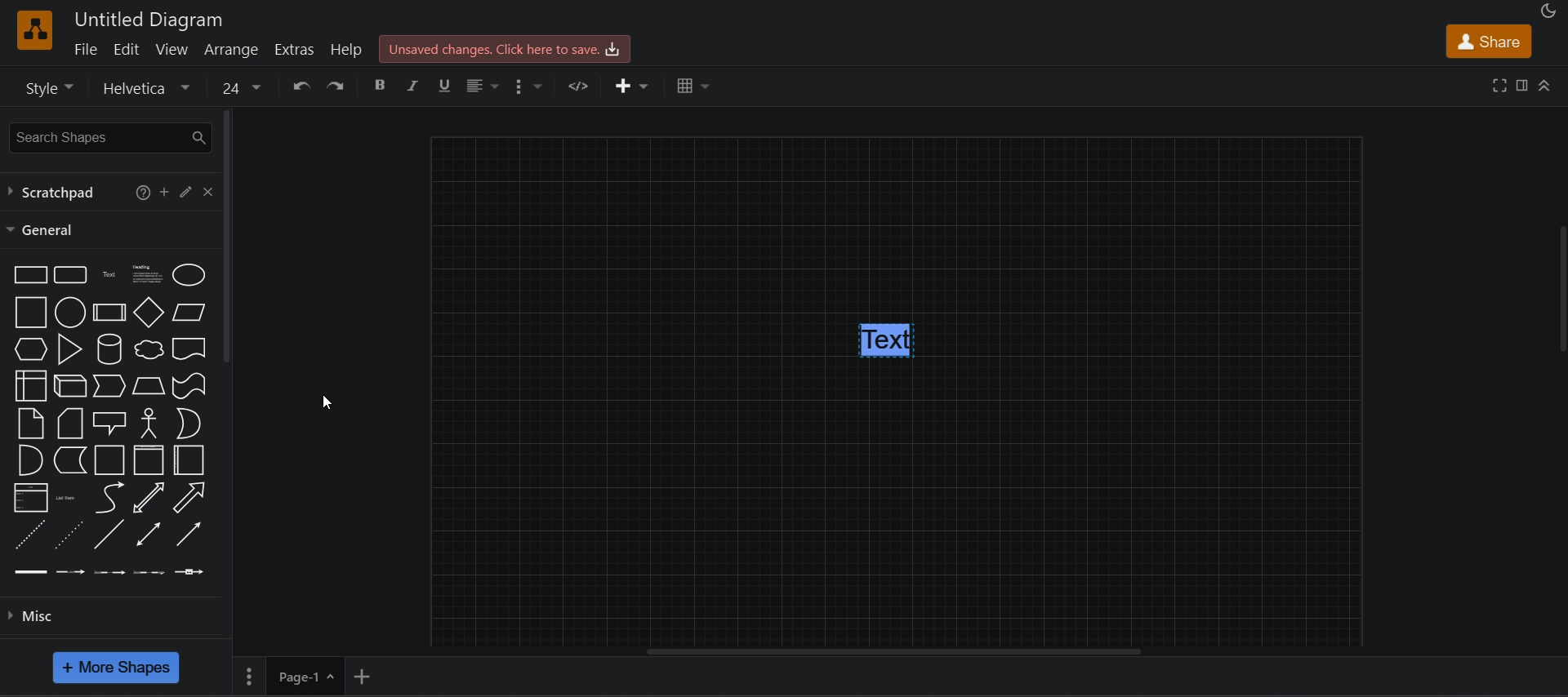  Describe the element at coordinates (35, 30) in the screenshot. I see `Software logo` at that location.